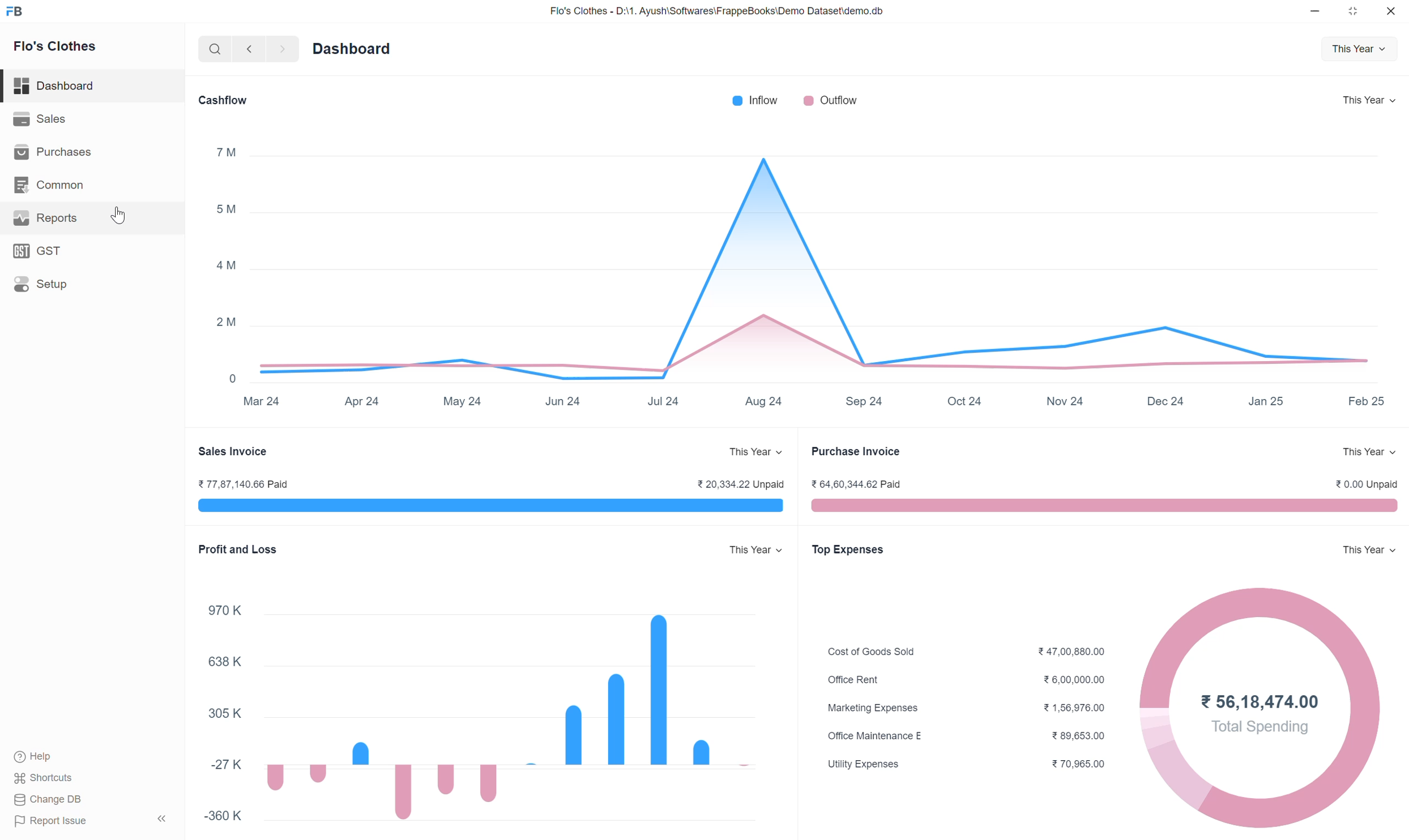 This screenshot has width=1409, height=840. I want to click on sep 24, so click(866, 402).